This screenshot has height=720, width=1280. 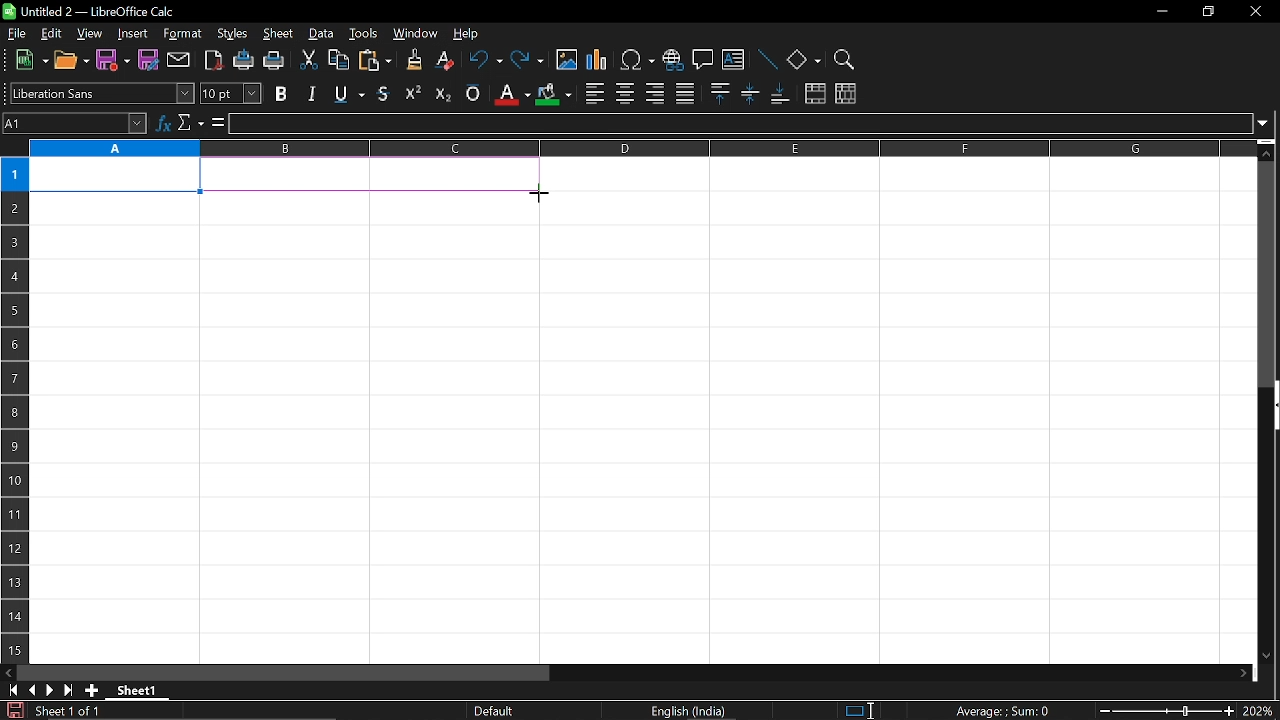 What do you see at coordinates (638, 59) in the screenshot?
I see `insert symbol` at bounding box center [638, 59].